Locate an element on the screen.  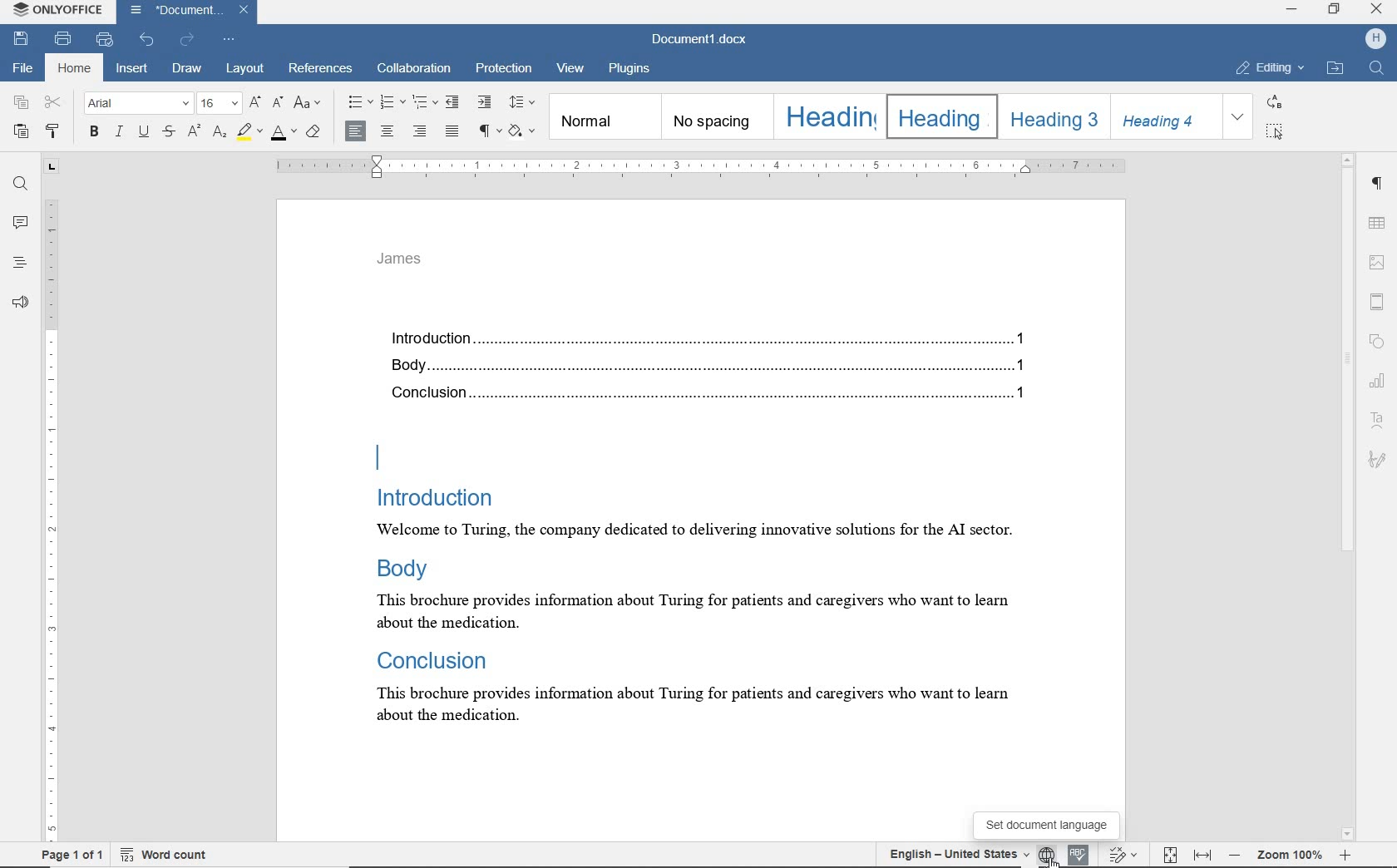
multilevel list is located at coordinates (423, 101).